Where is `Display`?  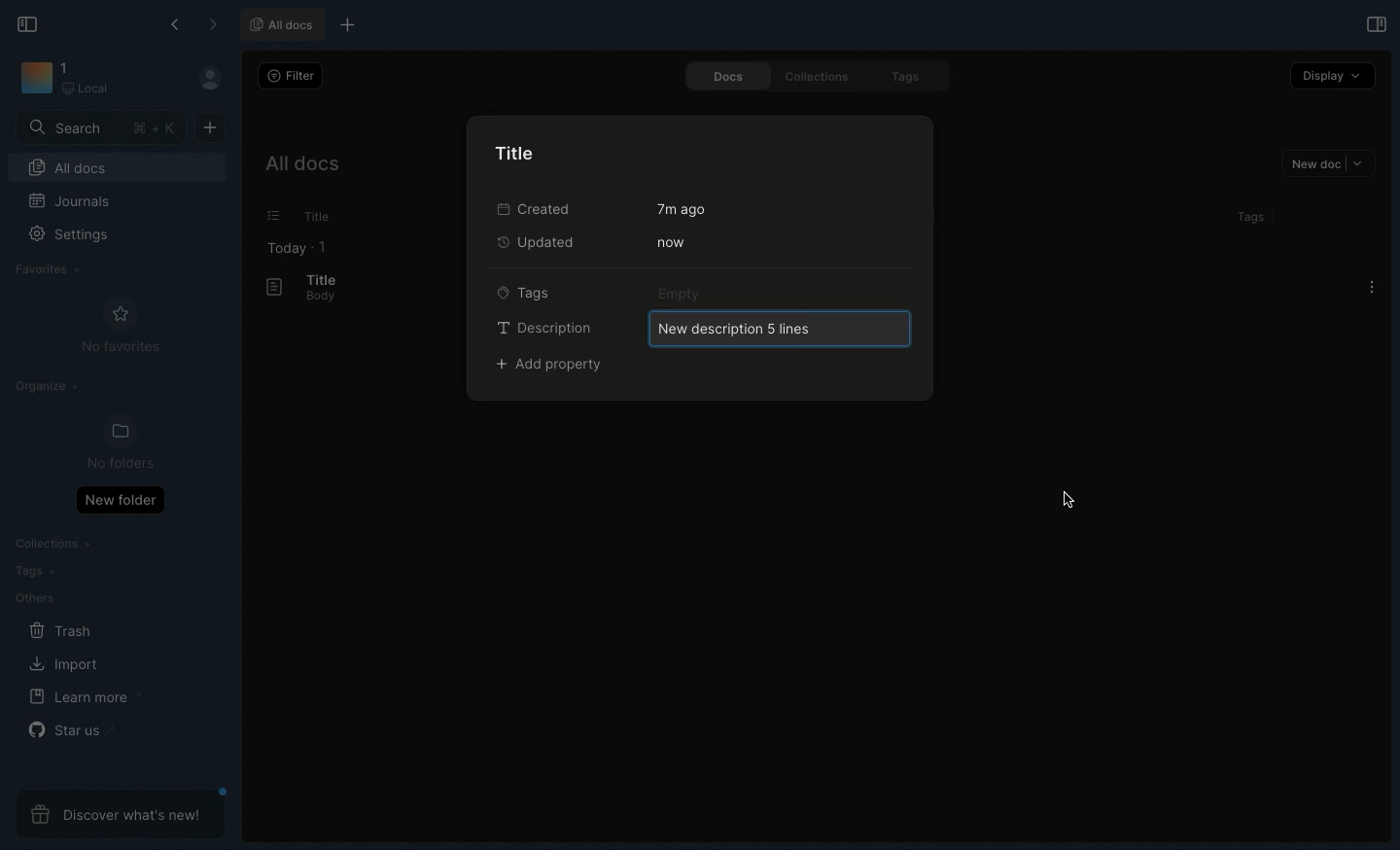
Display is located at coordinates (1333, 75).